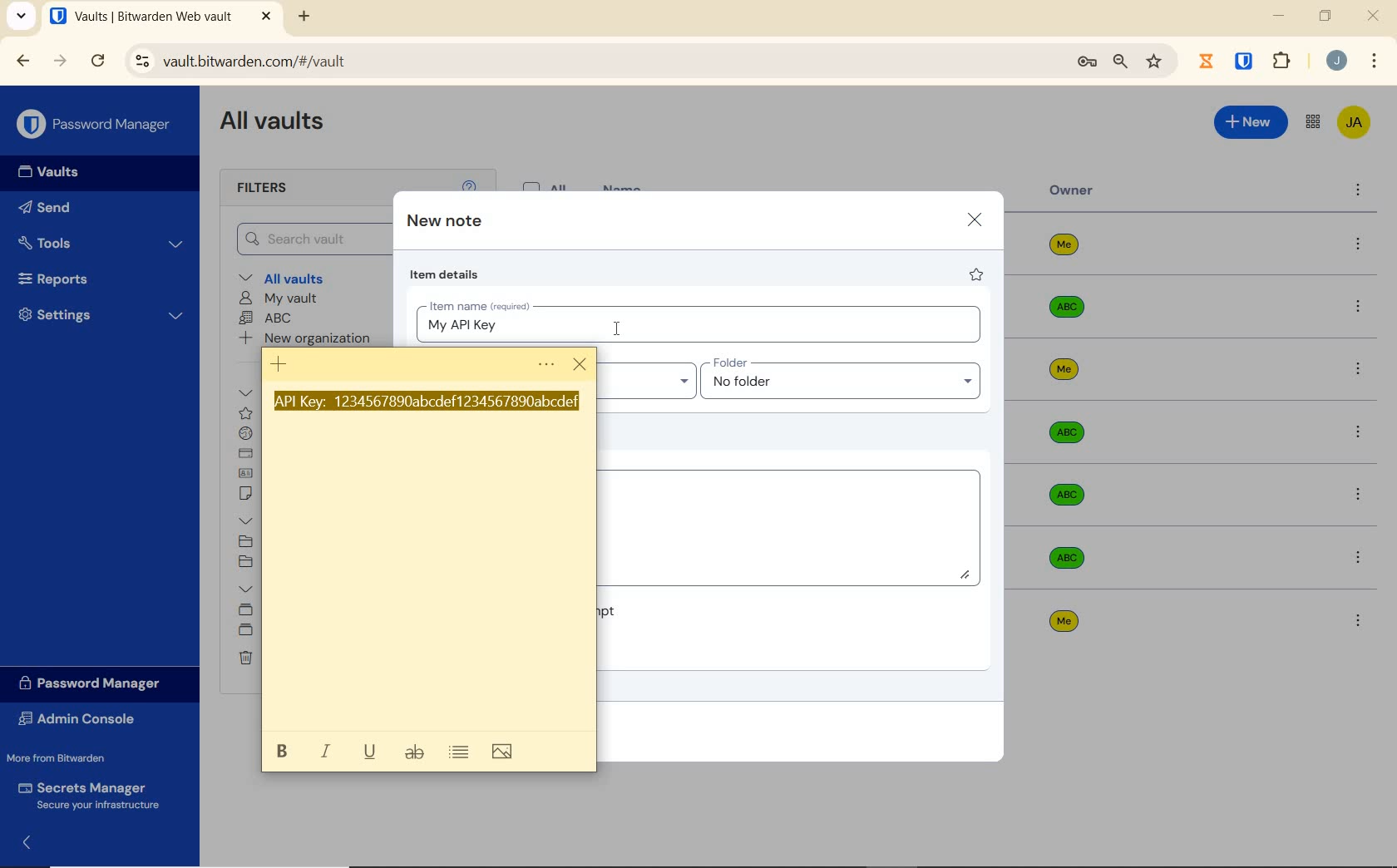 This screenshot has width=1397, height=868. I want to click on FORWARD, so click(61, 62).